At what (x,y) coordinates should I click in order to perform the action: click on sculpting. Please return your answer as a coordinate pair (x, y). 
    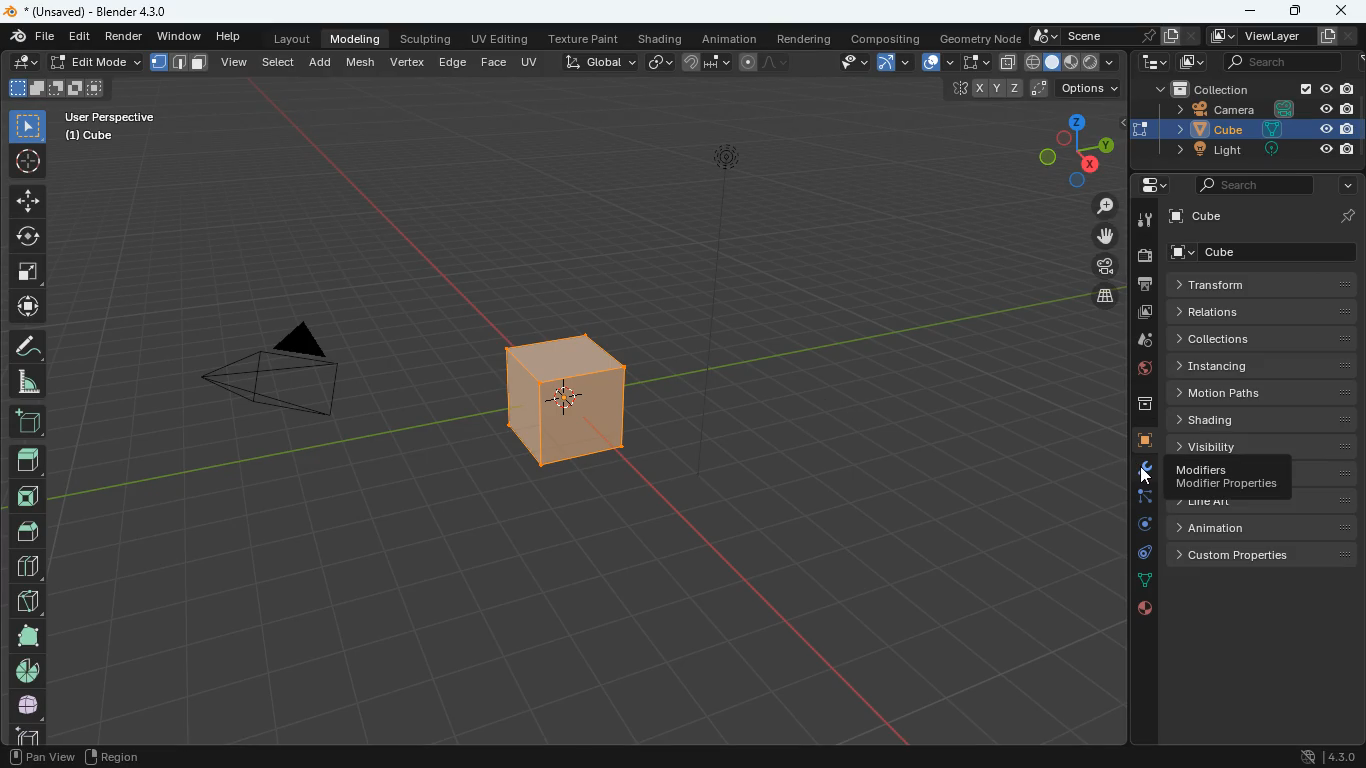
    Looking at the image, I should click on (428, 36).